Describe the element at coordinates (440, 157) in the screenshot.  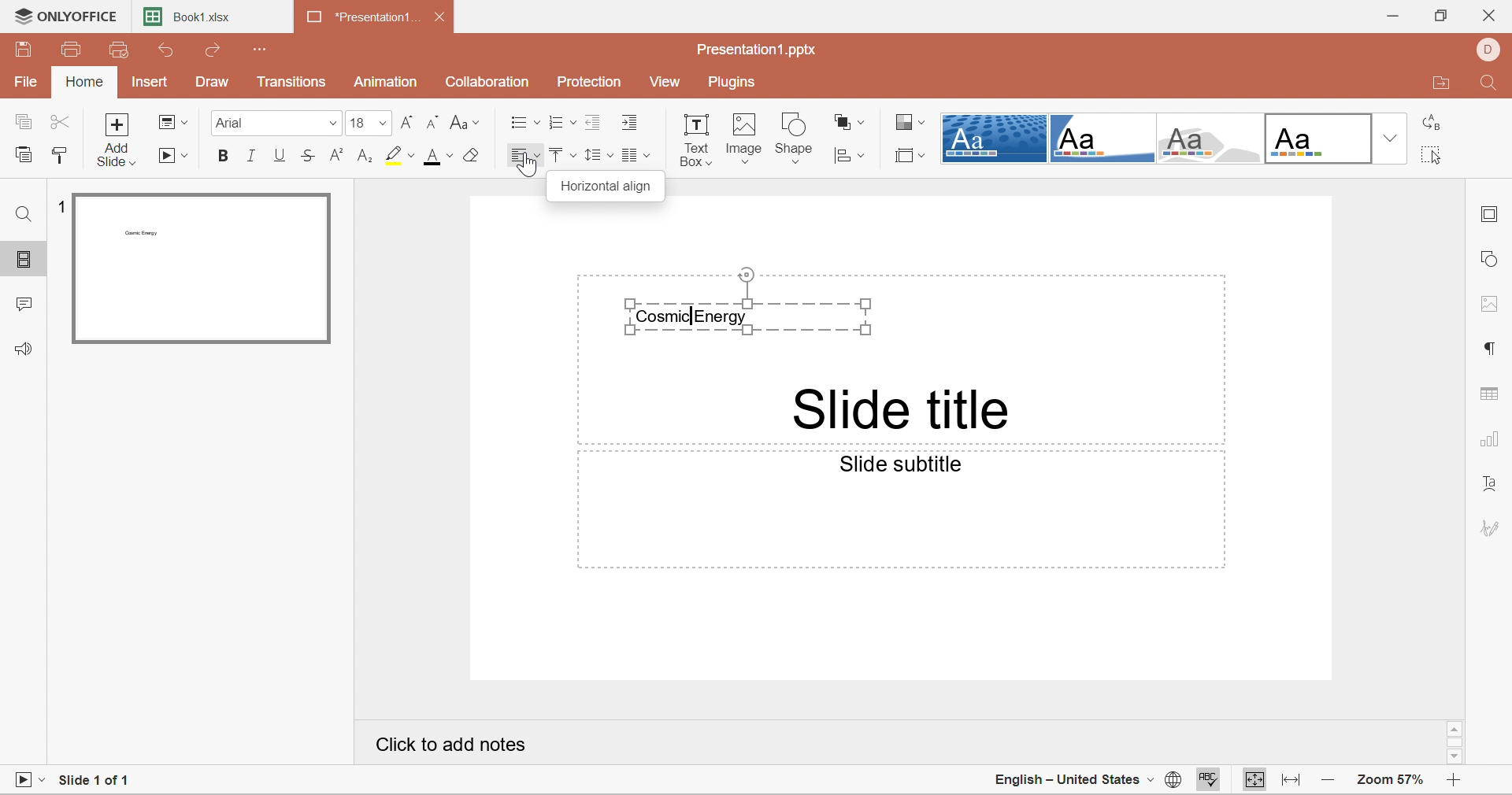
I see `Font color` at that location.